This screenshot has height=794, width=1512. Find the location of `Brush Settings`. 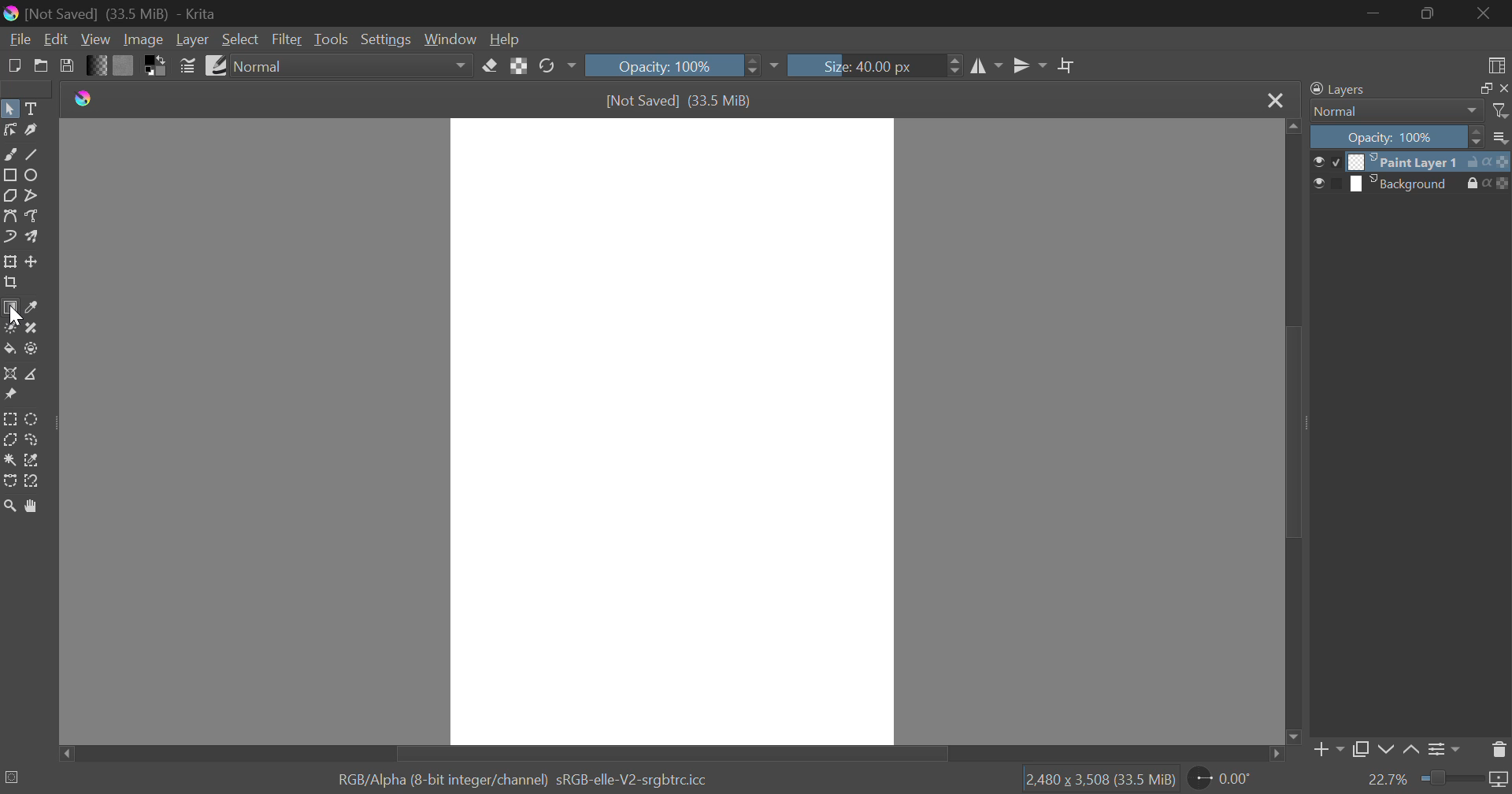

Brush Settings is located at coordinates (187, 65).